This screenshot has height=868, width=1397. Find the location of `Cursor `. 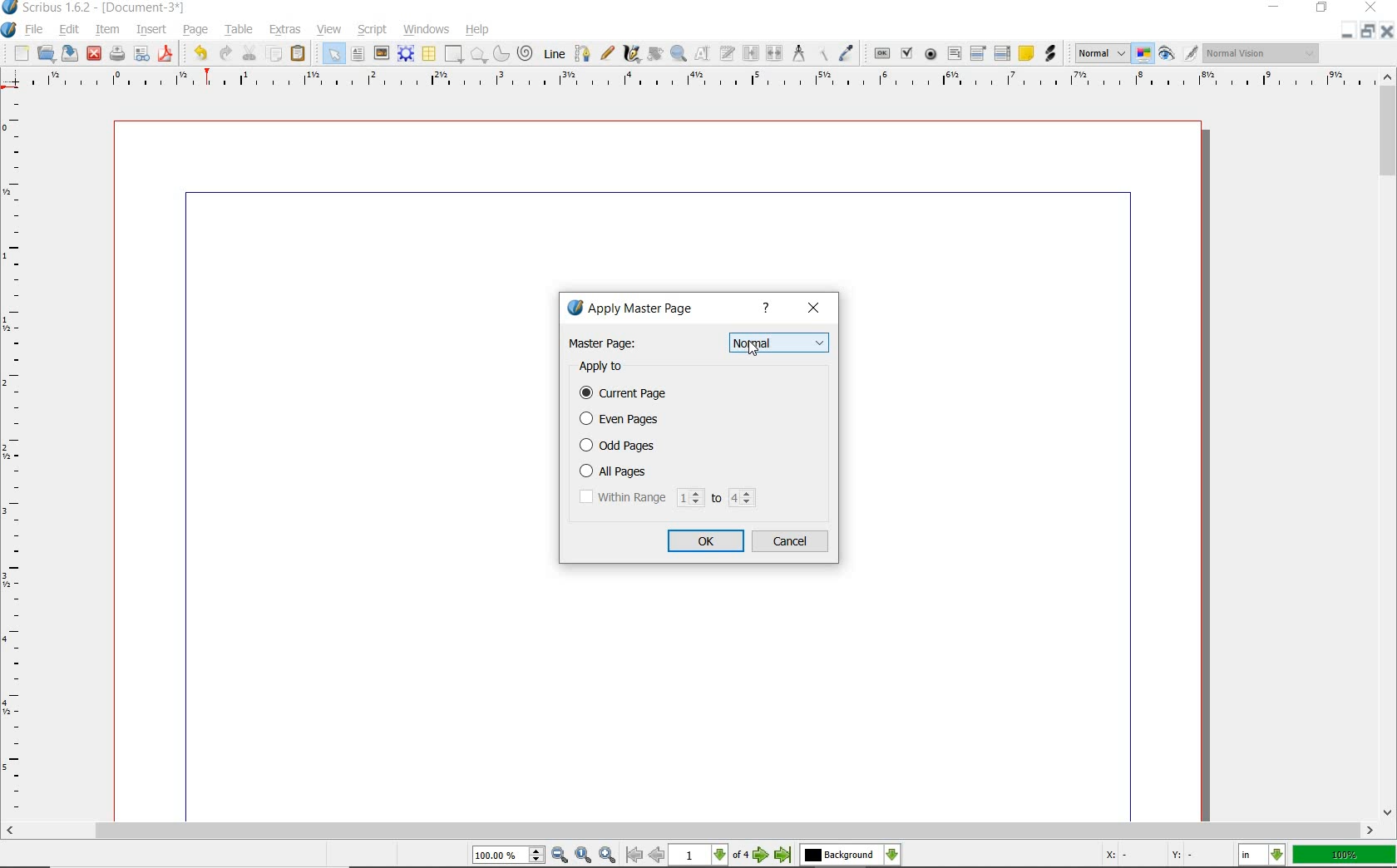

Cursor  is located at coordinates (753, 349).